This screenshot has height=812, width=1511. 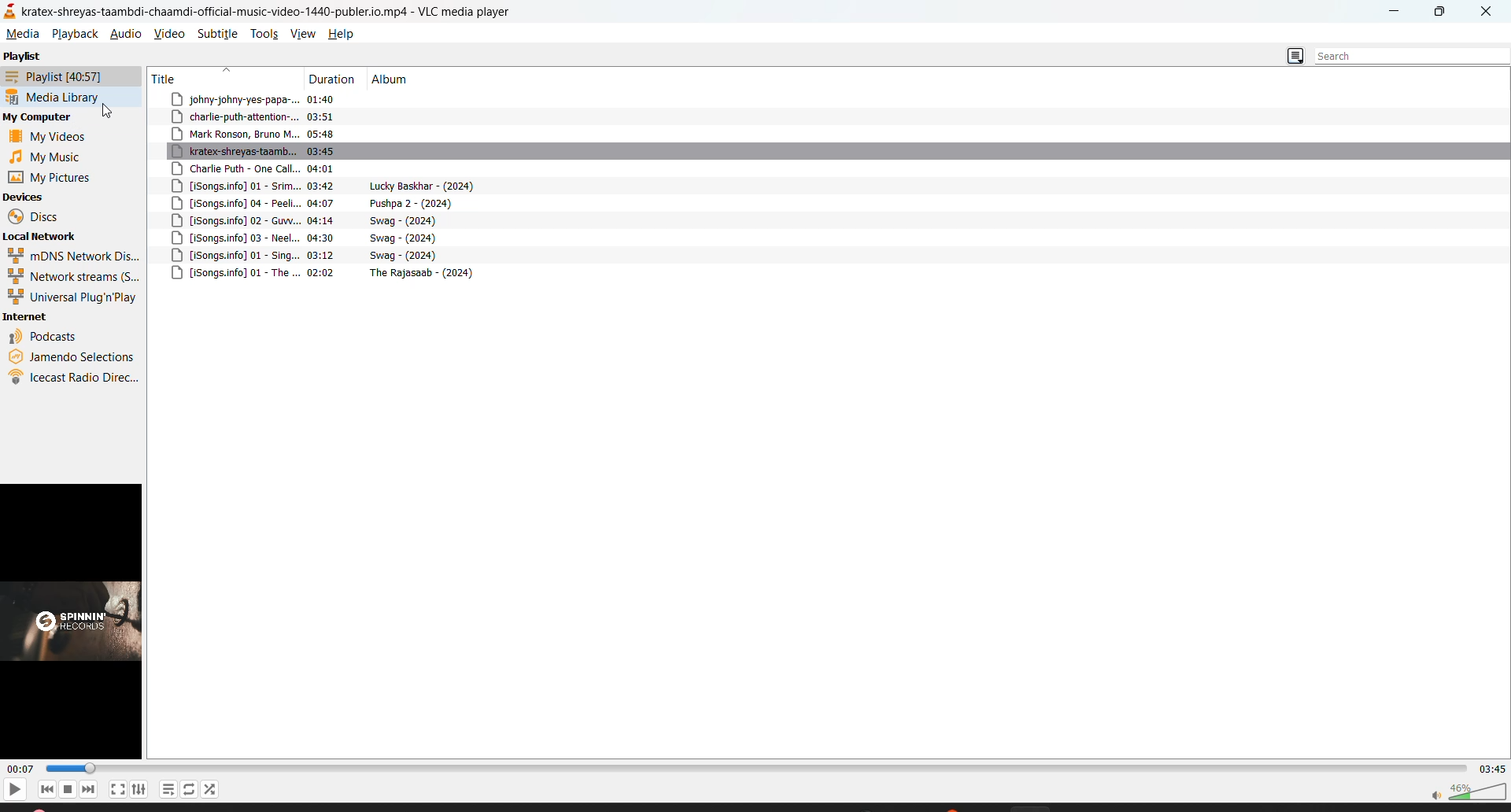 I want to click on discs, so click(x=36, y=217).